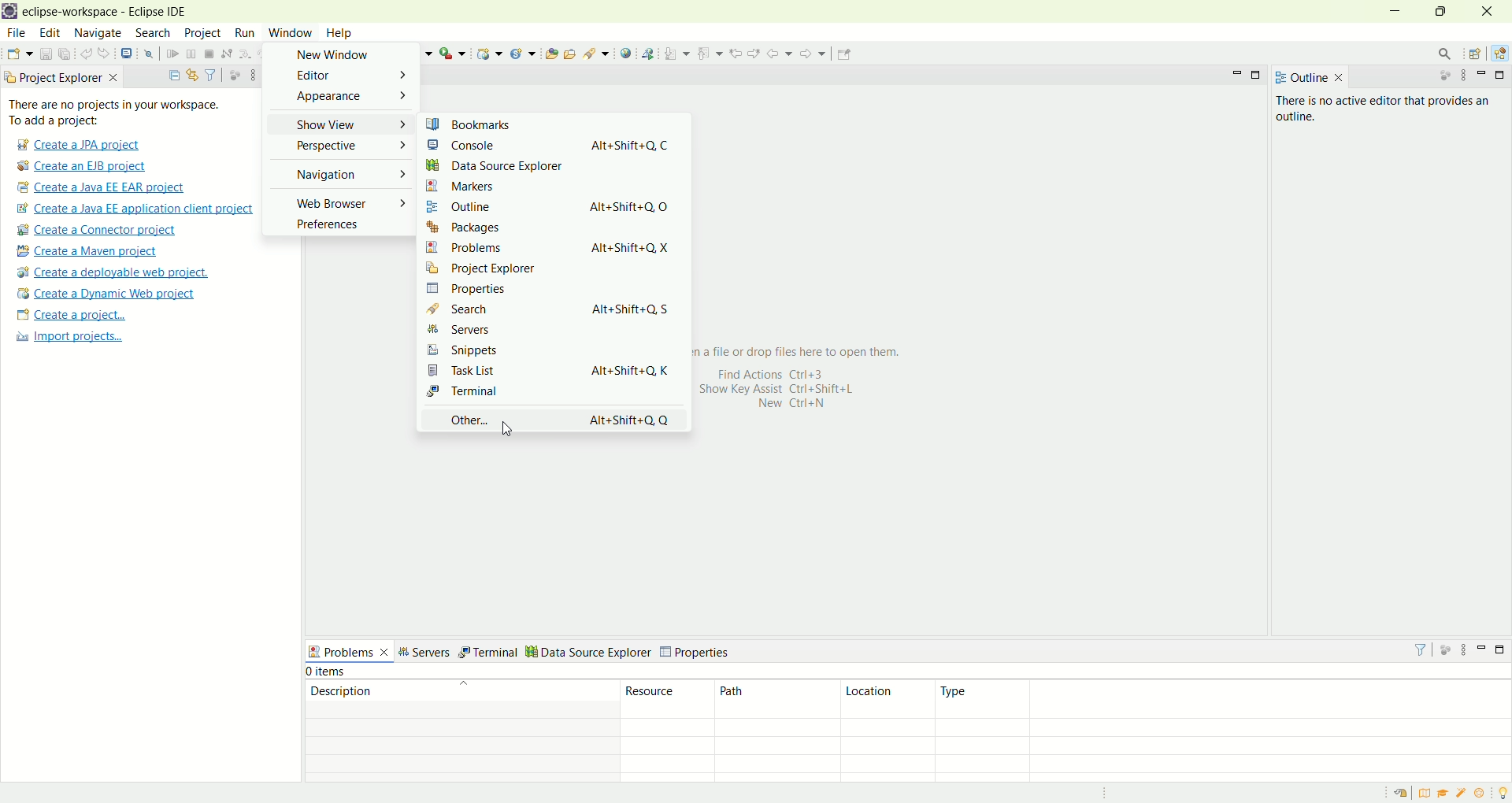 The width and height of the screenshot is (1512, 803). Describe the element at coordinates (191, 73) in the screenshot. I see `link with editor` at that location.